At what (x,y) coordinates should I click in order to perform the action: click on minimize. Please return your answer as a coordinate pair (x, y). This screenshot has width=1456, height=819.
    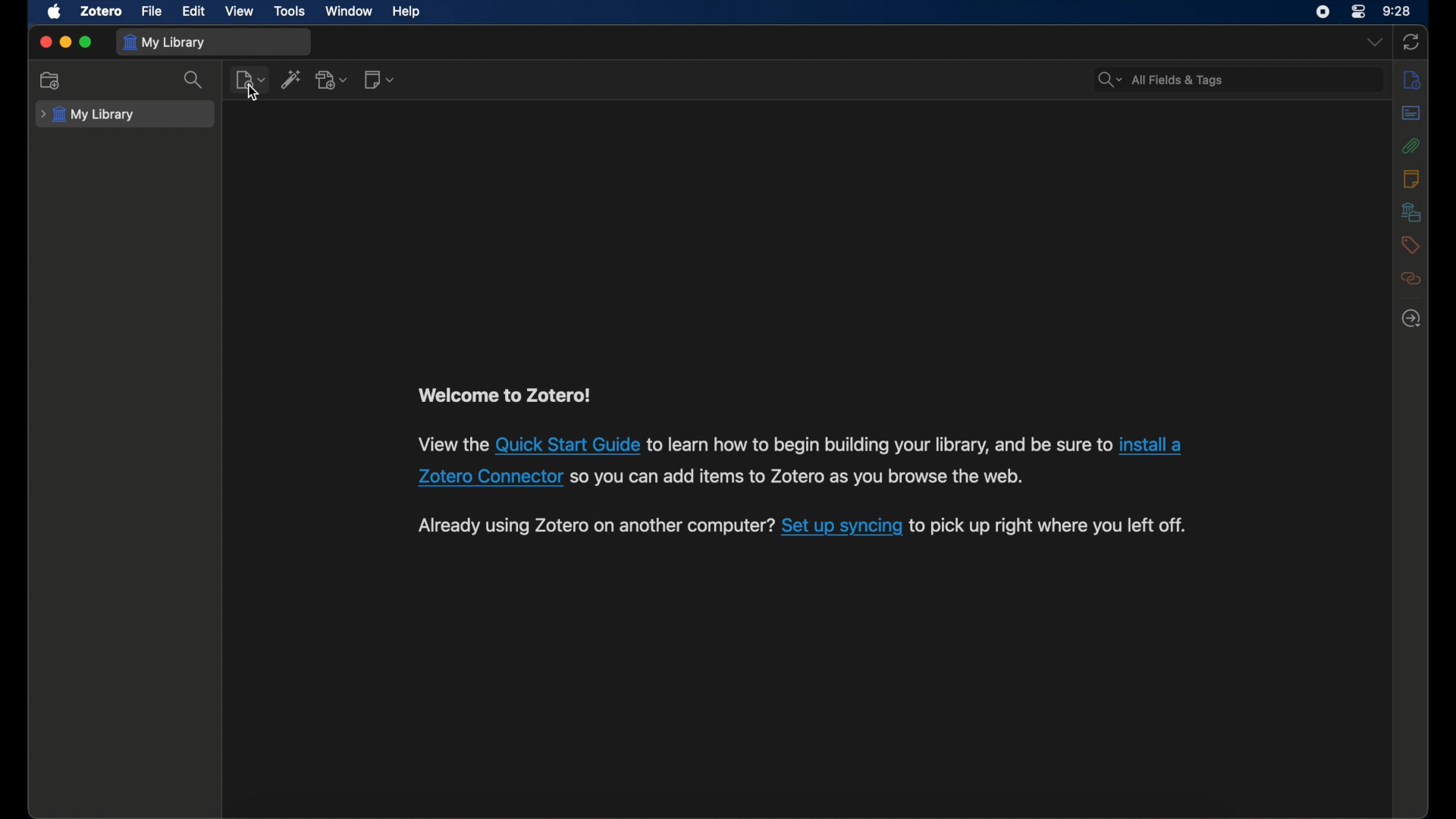
    Looking at the image, I should click on (65, 42).